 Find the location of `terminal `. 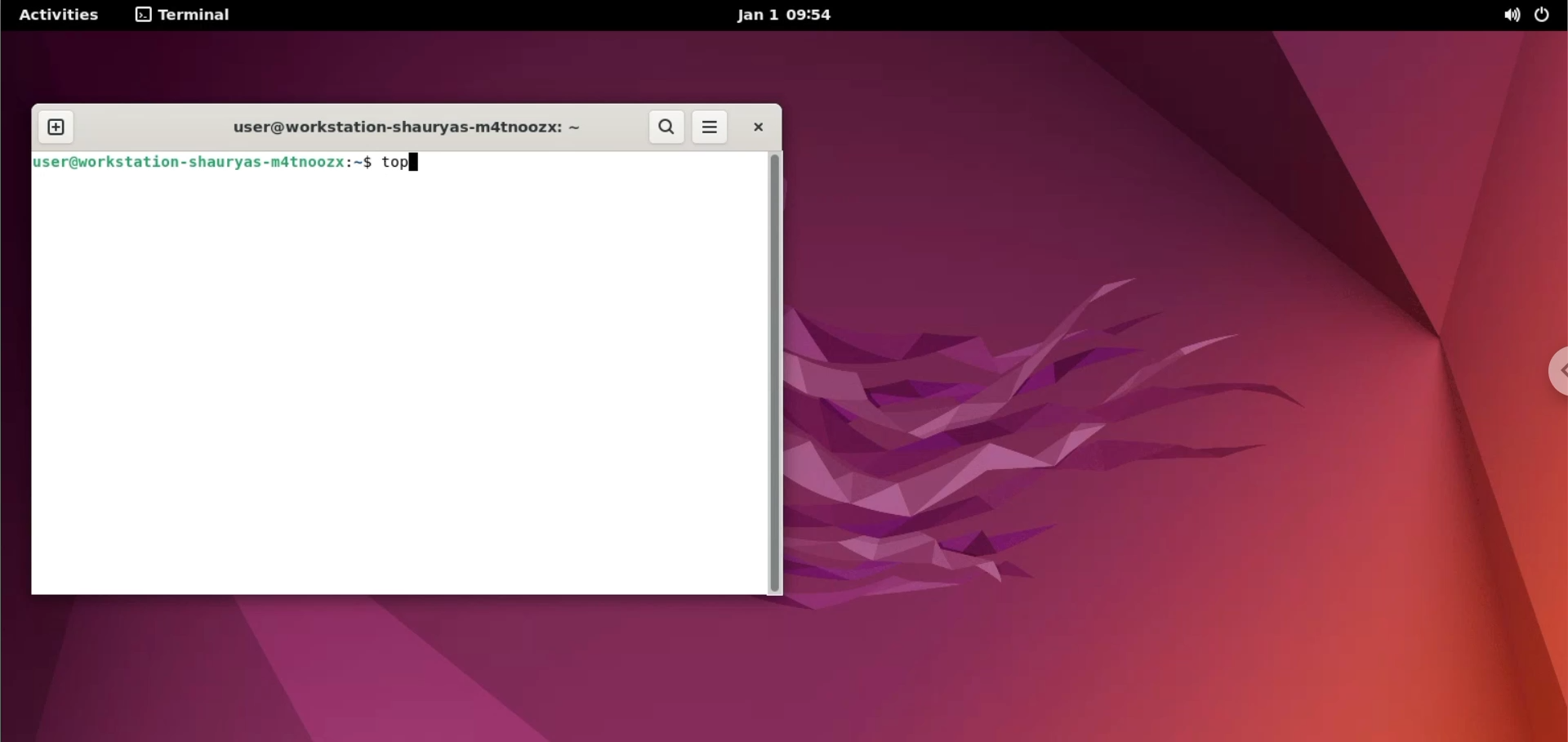

terminal  is located at coordinates (185, 17).